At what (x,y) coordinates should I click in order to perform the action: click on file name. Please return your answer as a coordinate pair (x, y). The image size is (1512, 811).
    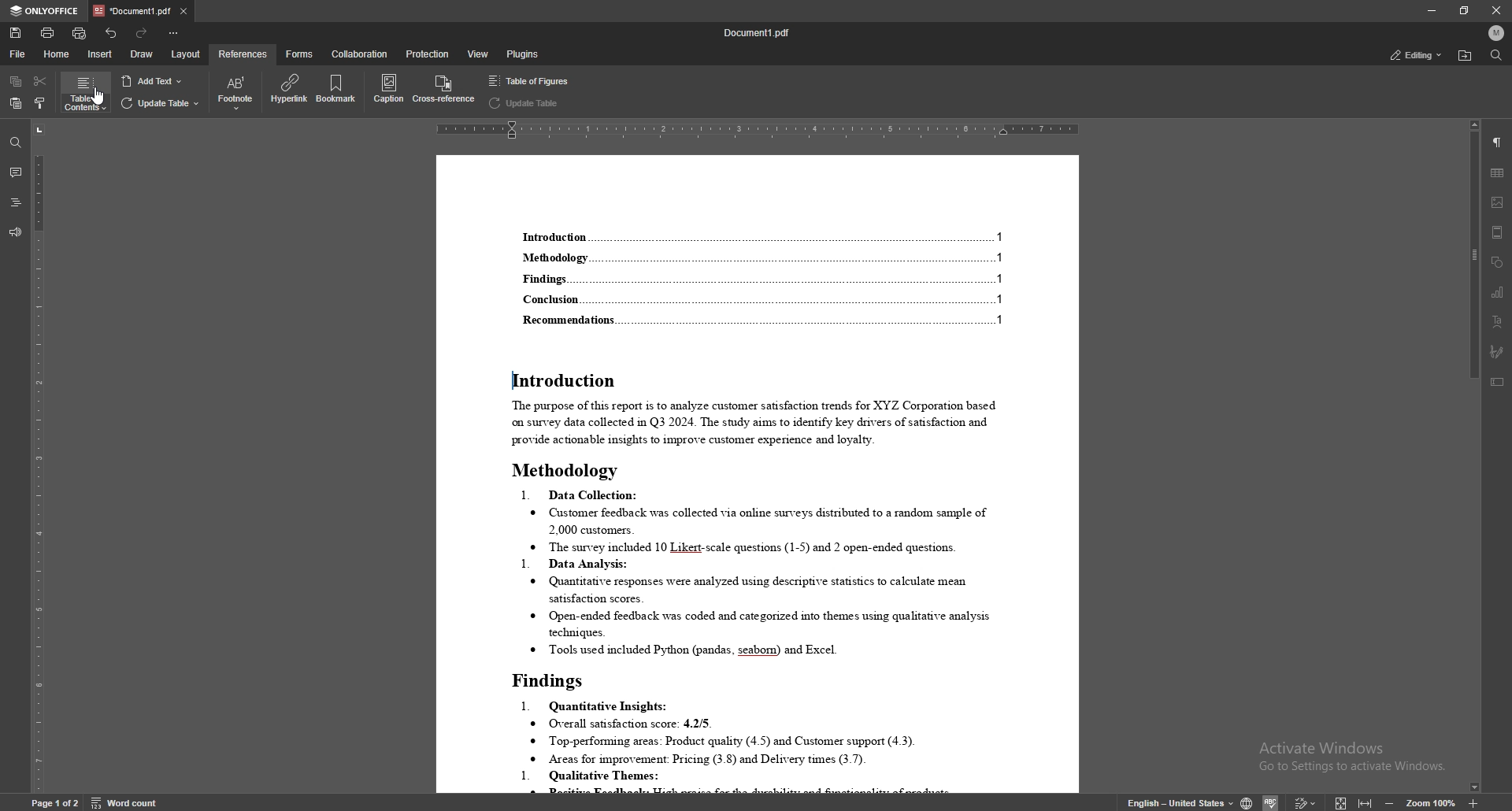
    Looking at the image, I should click on (758, 32).